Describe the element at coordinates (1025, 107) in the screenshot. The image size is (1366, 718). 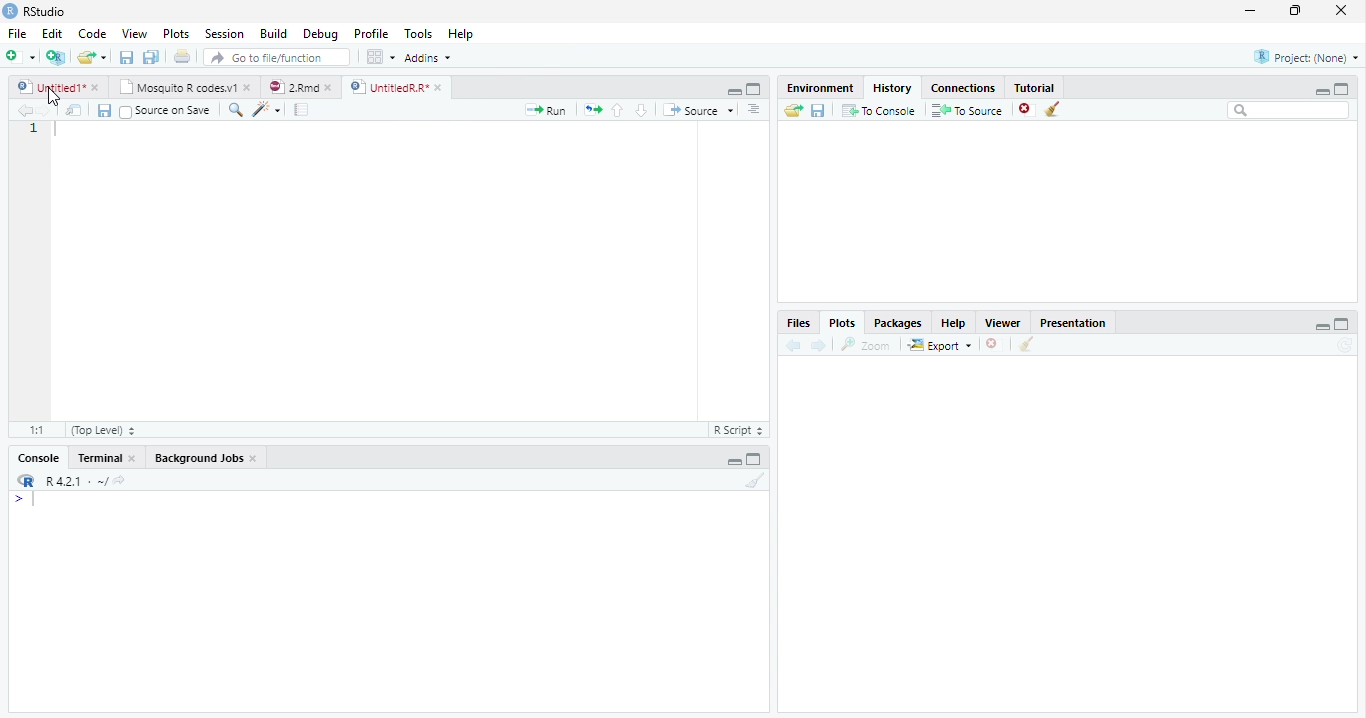
I see `Delete` at that location.